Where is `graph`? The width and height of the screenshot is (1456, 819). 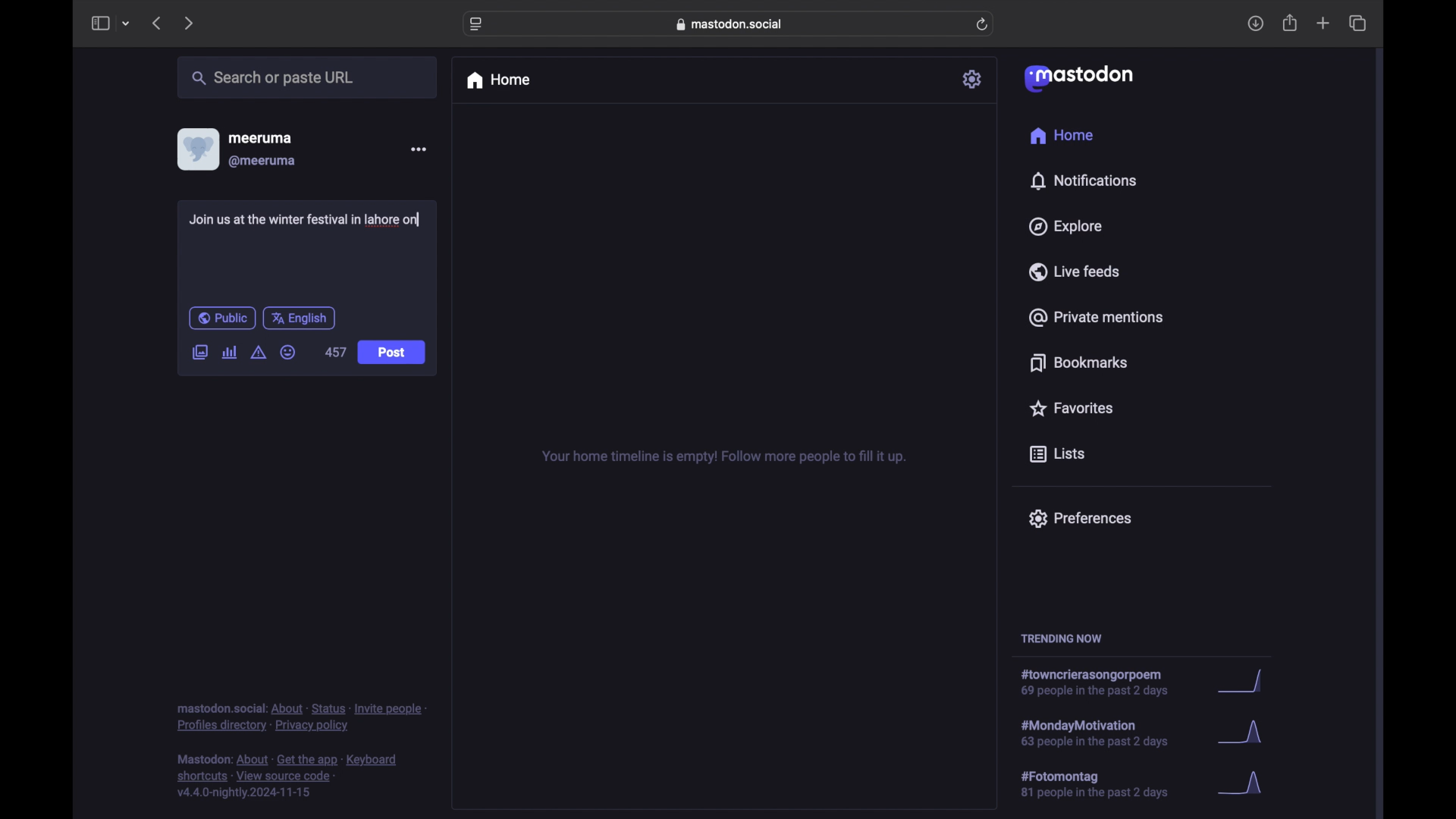
graph is located at coordinates (1245, 784).